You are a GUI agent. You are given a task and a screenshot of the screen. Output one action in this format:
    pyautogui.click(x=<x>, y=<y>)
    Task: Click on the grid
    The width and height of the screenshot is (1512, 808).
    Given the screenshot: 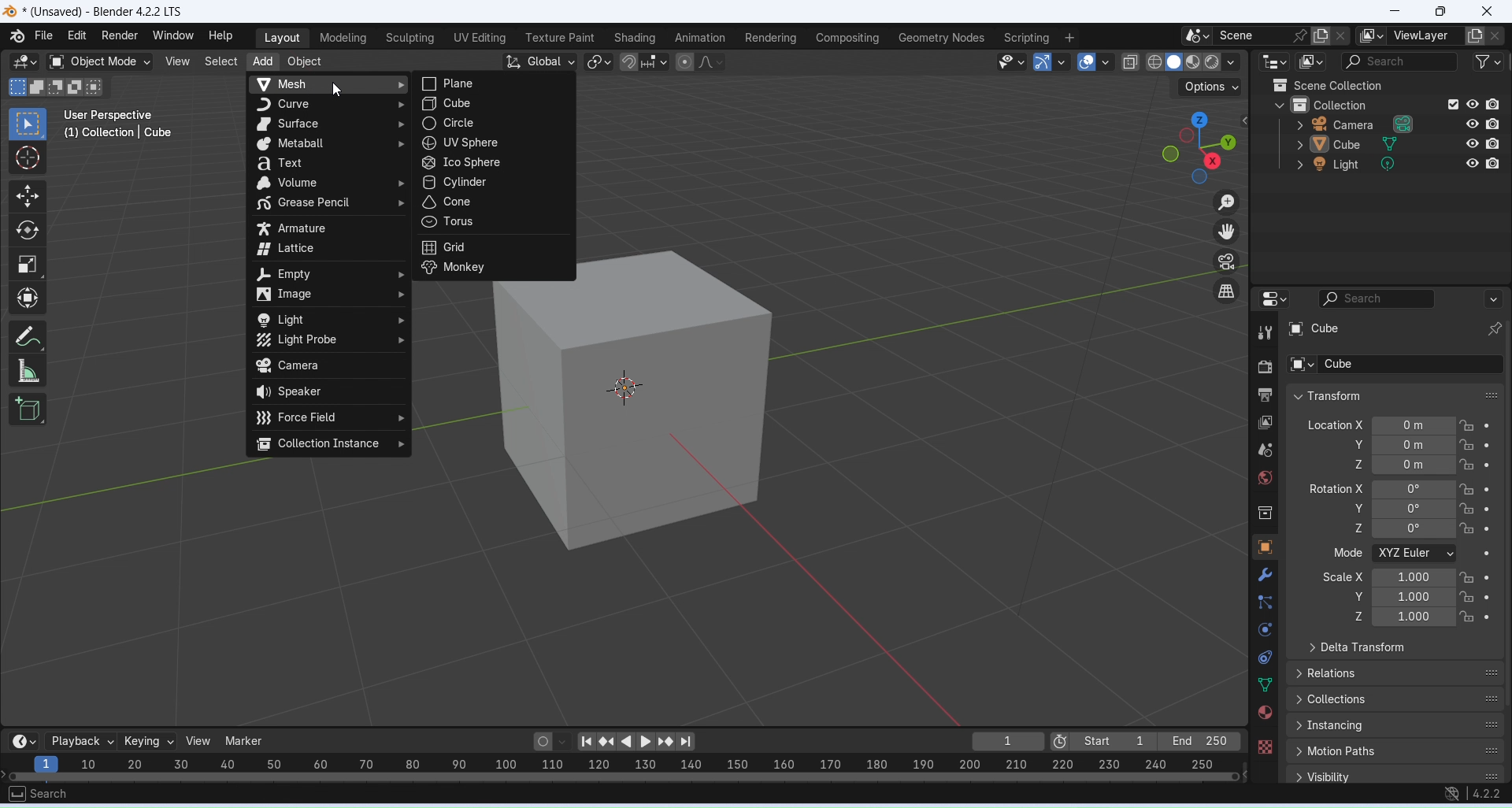 What is the action you would take?
    pyautogui.click(x=491, y=248)
    